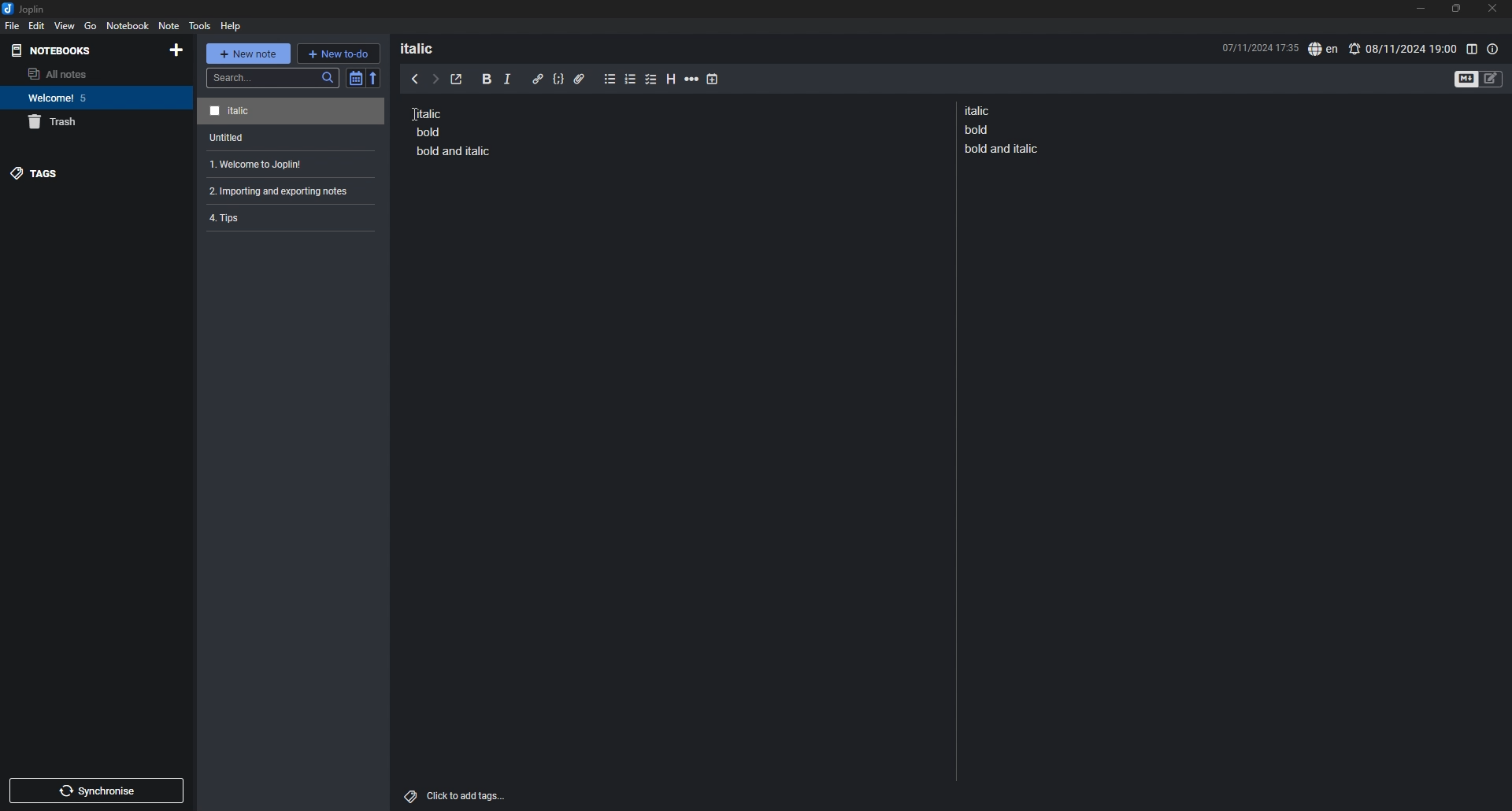 The height and width of the screenshot is (811, 1512). I want to click on toggle external editor, so click(457, 80).